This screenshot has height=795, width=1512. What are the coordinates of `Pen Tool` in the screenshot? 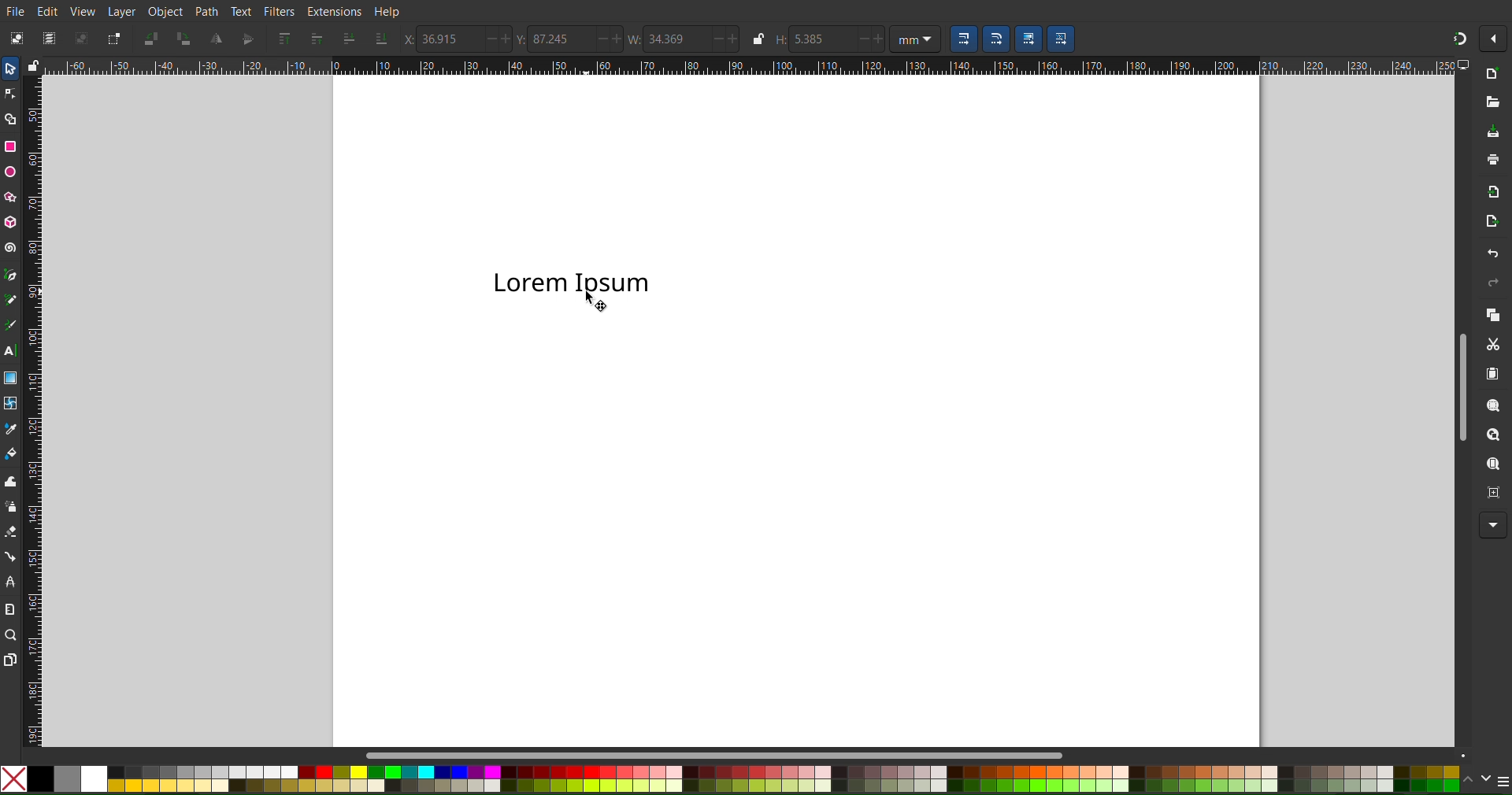 It's located at (11, 275).